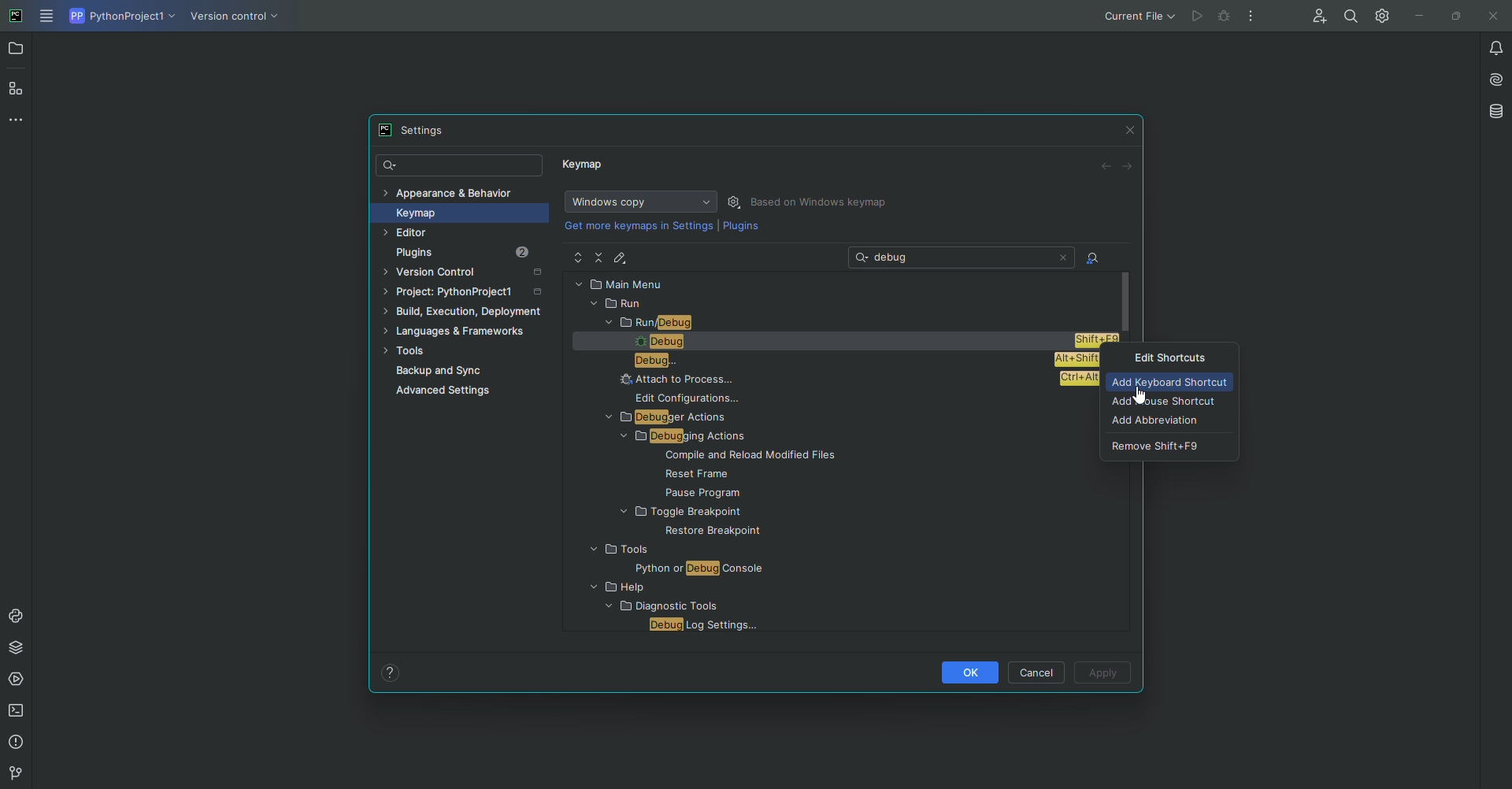  Describe the element at coordinates (1351, 16) in the screenshot. I see `Find` at that location.